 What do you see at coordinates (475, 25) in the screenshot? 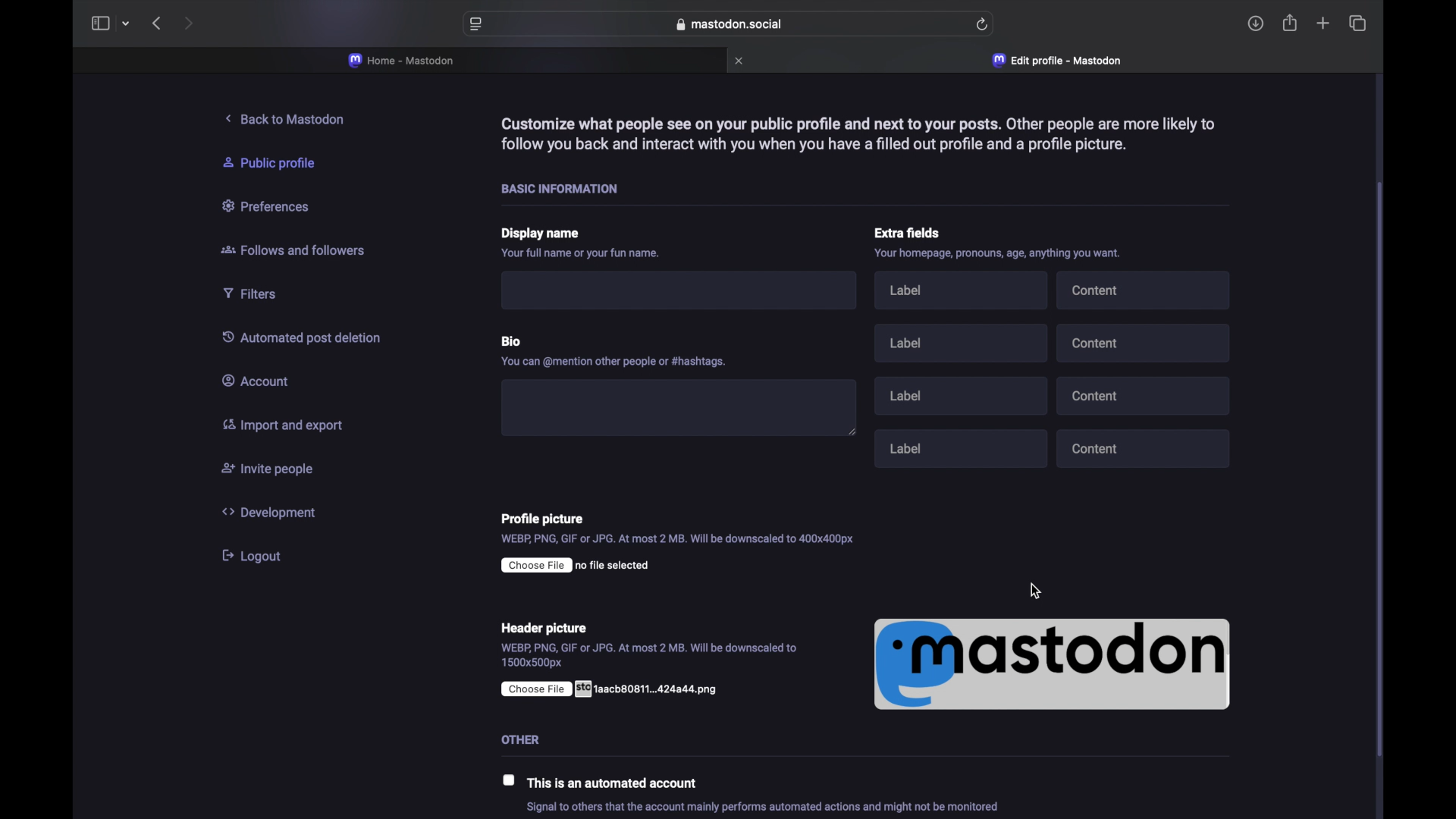
I see `website preferences` at bounding box center [475, 25].